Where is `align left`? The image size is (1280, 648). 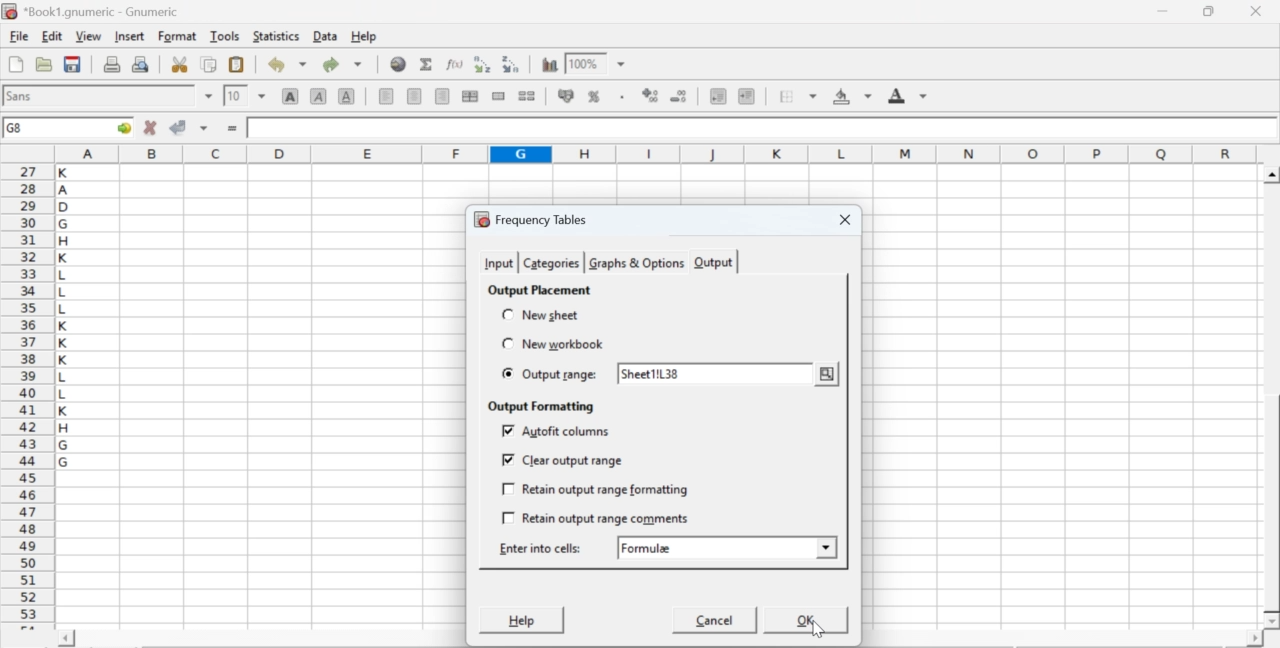
align left is located at coordinates (386, 94).